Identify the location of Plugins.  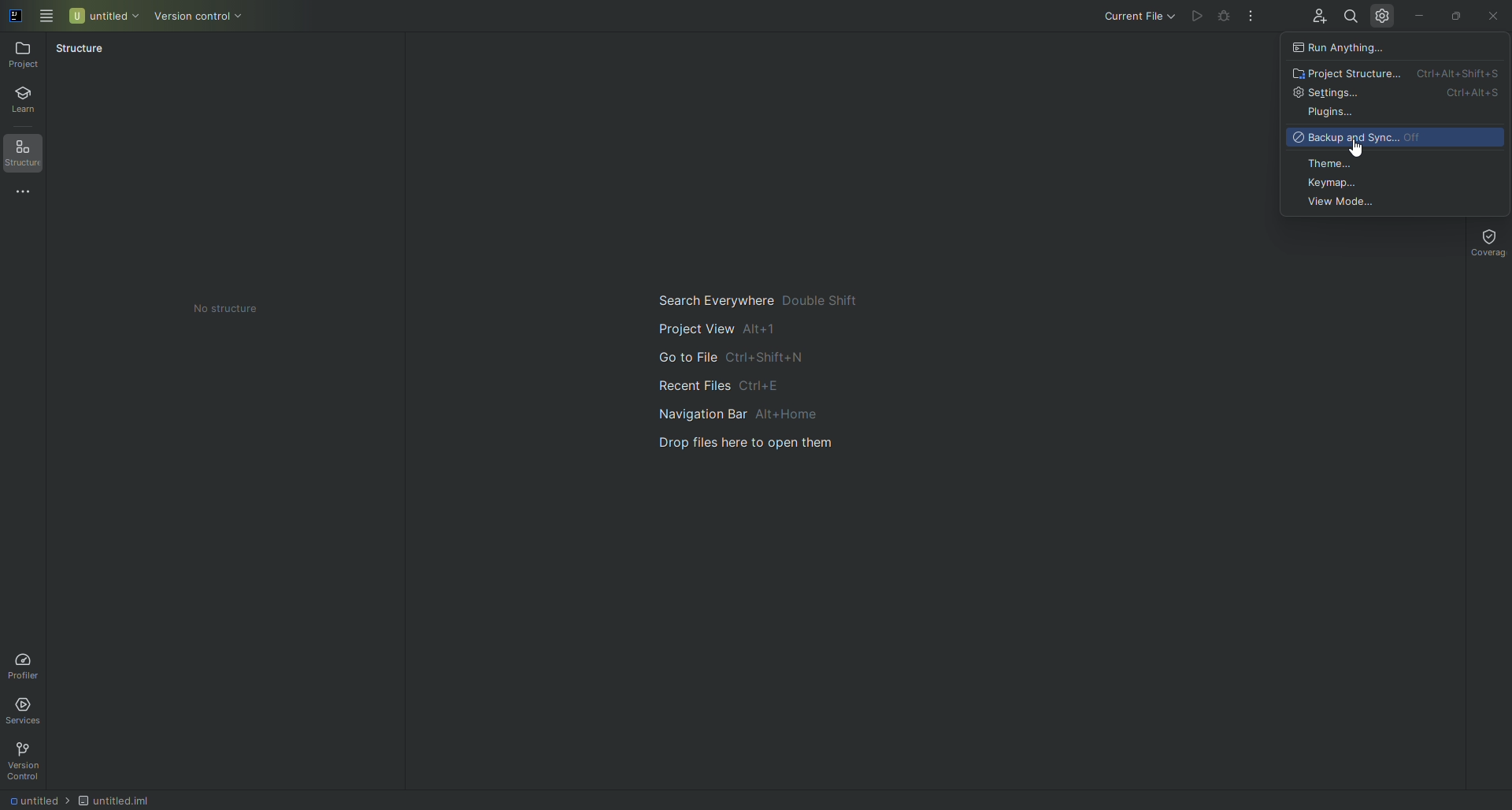
(1330, 113).